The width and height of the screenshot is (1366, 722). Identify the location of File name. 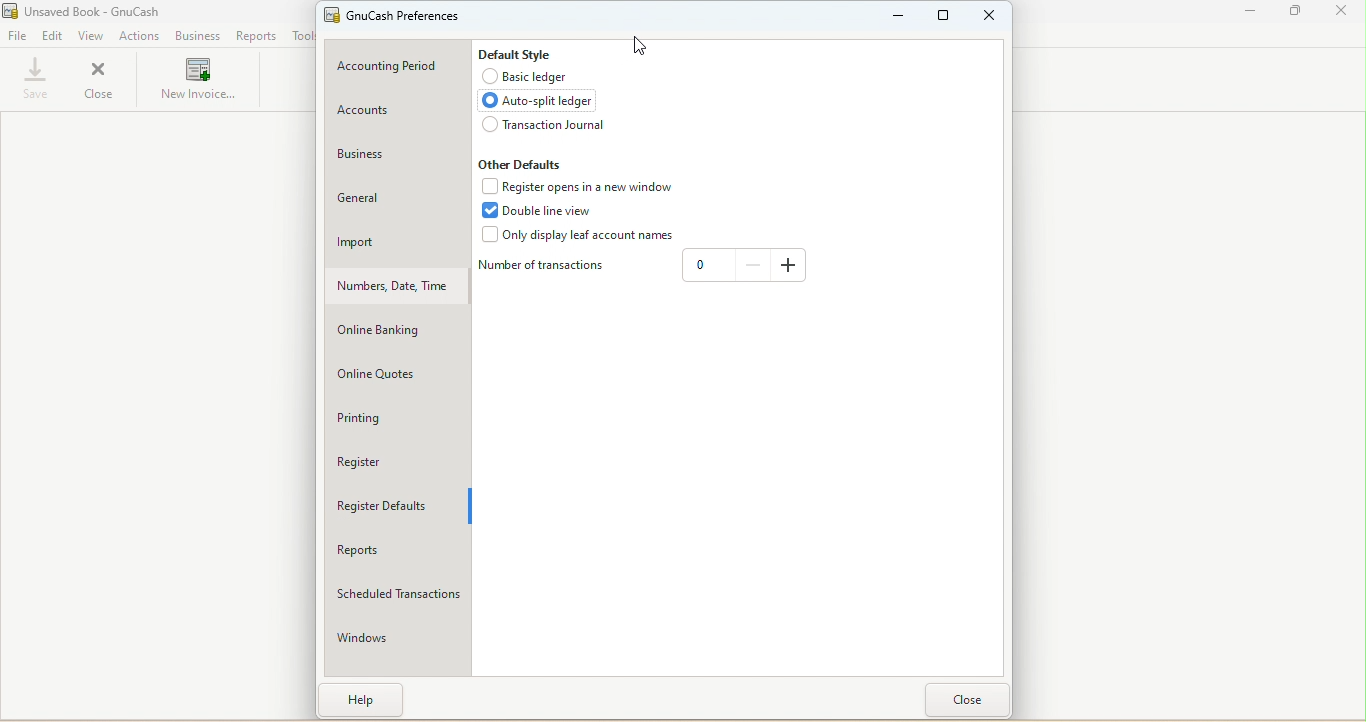
(102, 12).